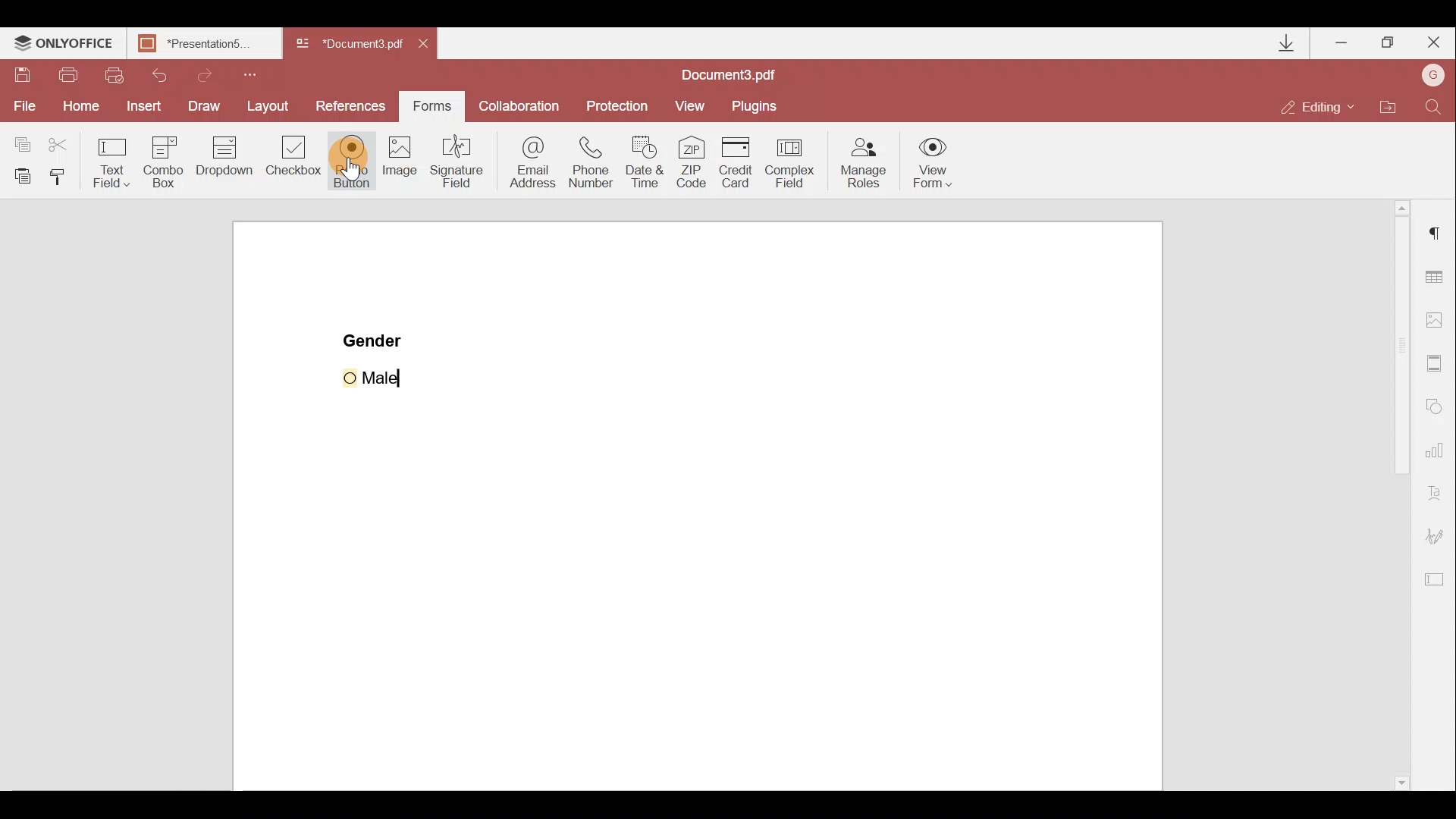 Image resolution: width=1456 pixels, height=819 pixels. I want to click on Email address, so click(531, 163).